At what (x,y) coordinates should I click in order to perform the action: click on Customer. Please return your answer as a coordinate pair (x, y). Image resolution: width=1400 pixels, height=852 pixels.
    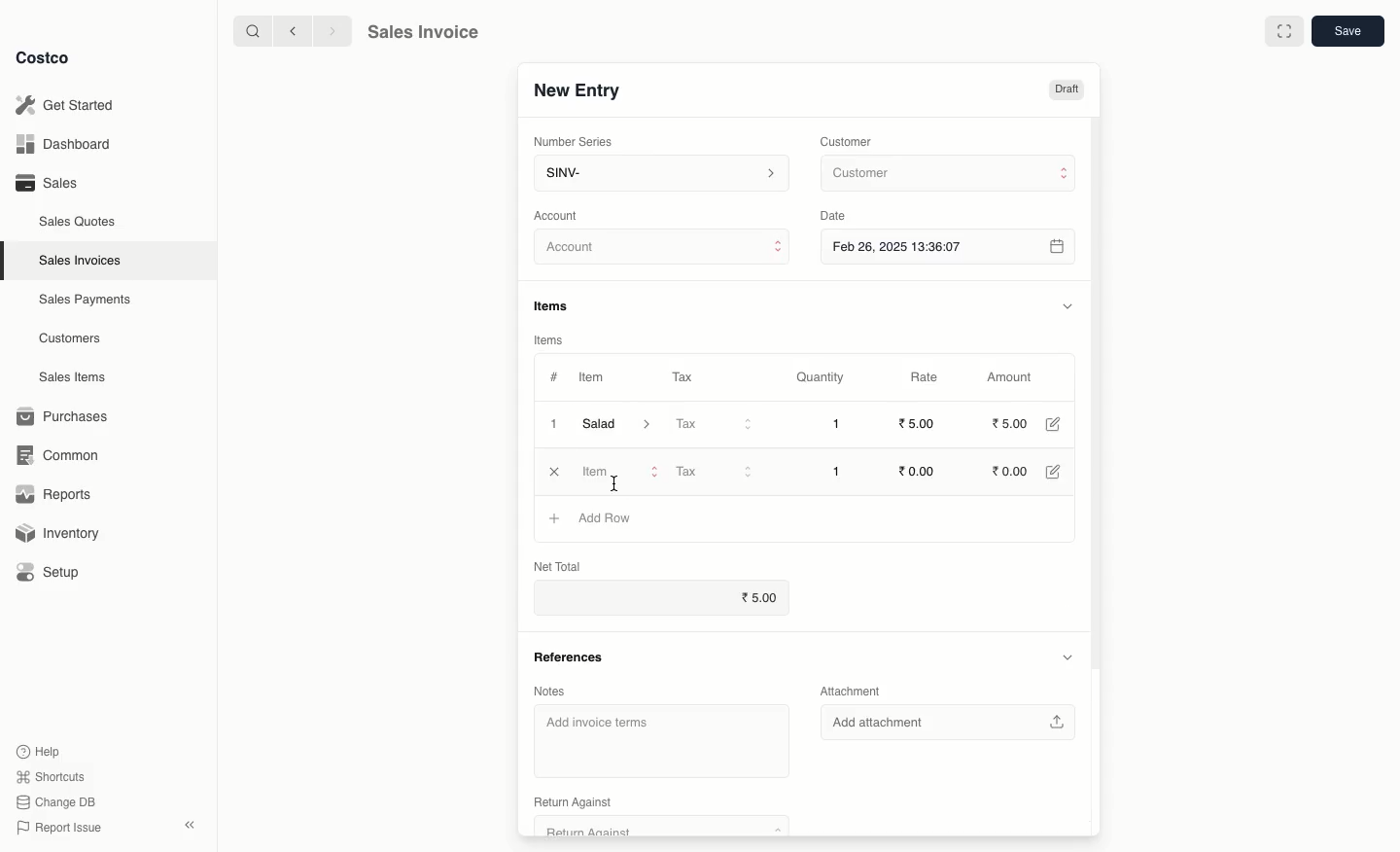
    Looking at the image, I should click on (849, 140).